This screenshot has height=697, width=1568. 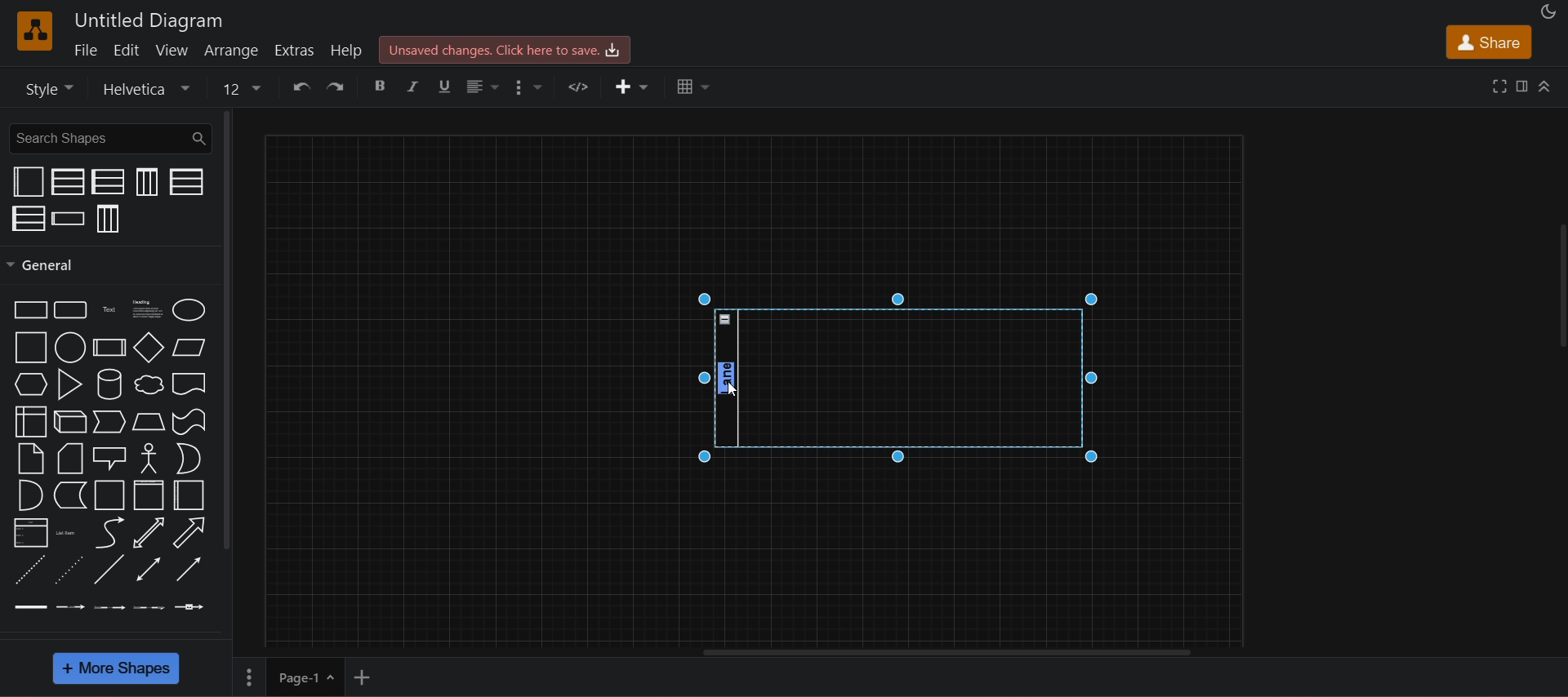 What do you see at coordinates (109, 422) in the screenshot?
I see `step` at bounding box center [109, 422].